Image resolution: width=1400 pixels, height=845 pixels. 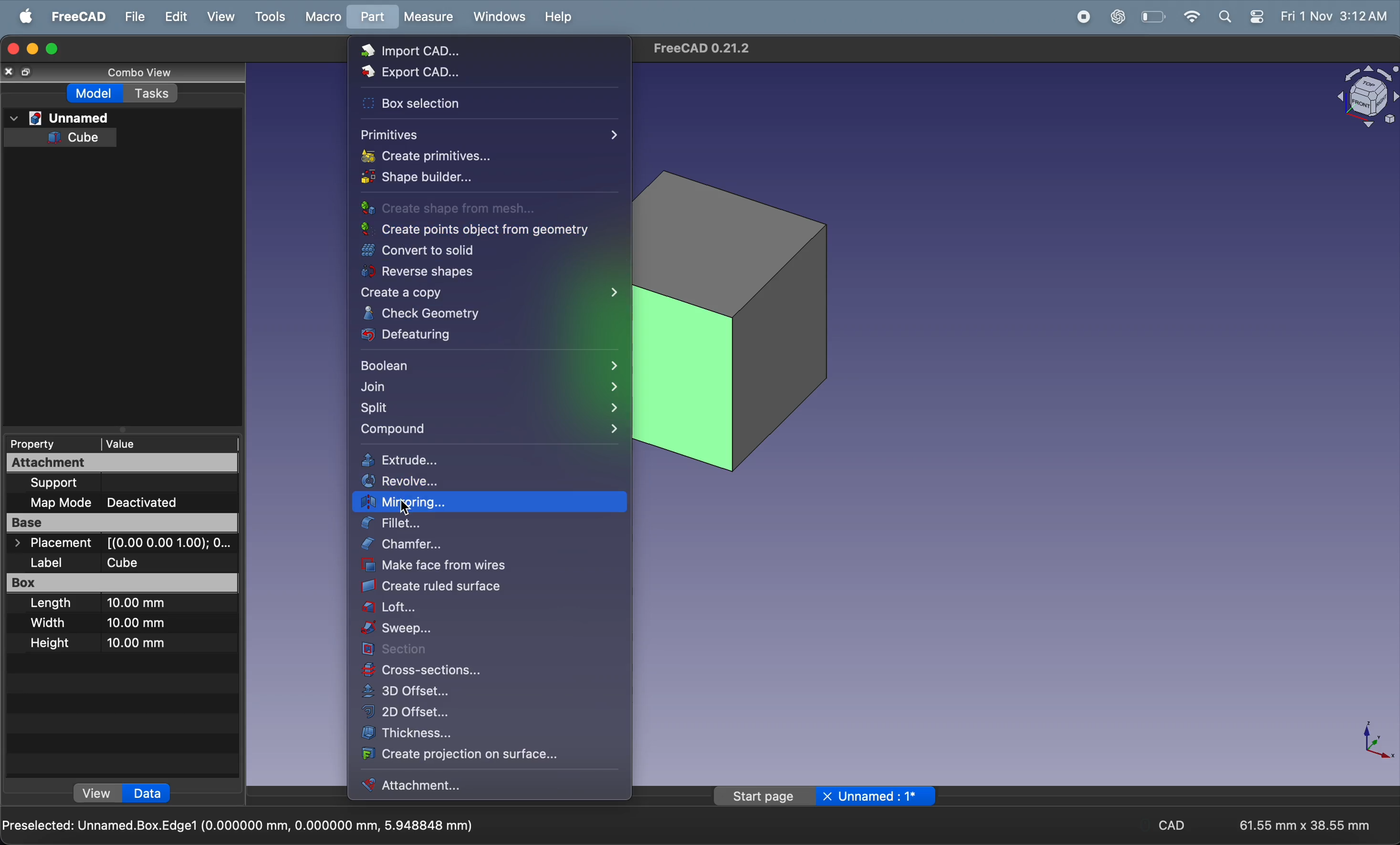 I want to click on view, so click(x=220, y=16).